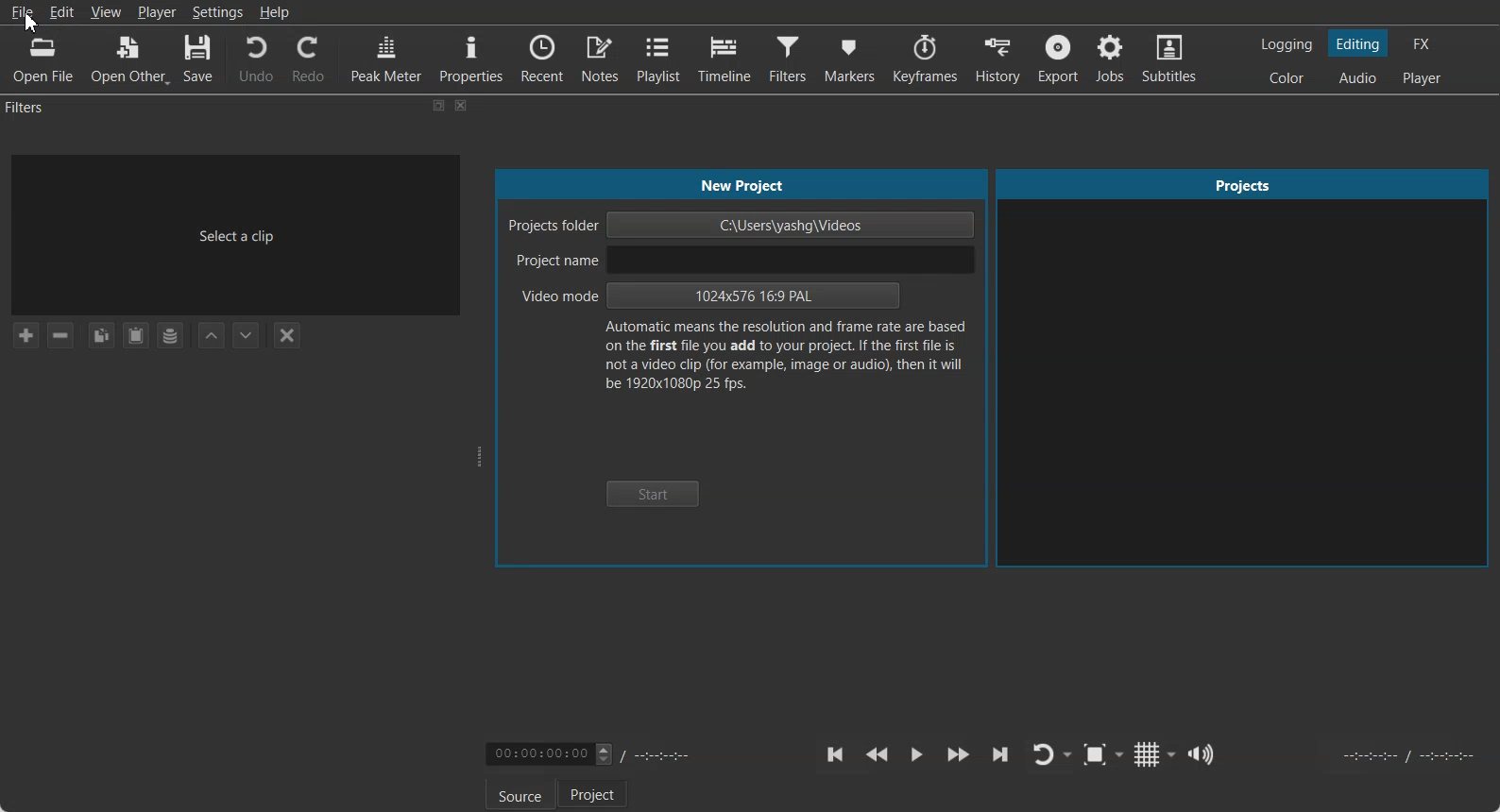  Describe the element at coordinates (1359, 43) in the screenshot. I see `Switch to the Editing layout` at that location.